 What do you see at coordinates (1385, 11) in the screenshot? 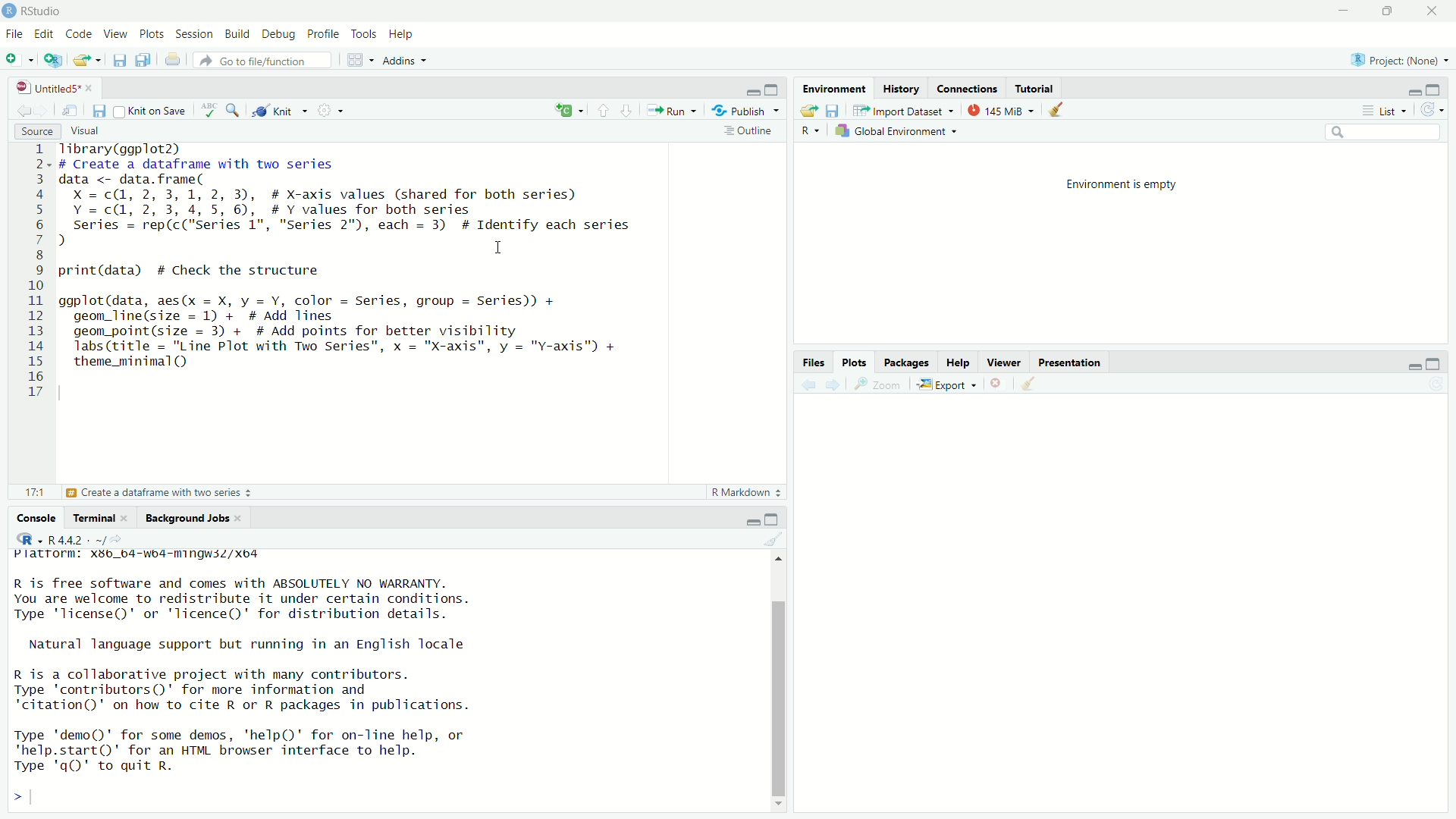
I see `Maximize` at bounding box center [1385, 11].